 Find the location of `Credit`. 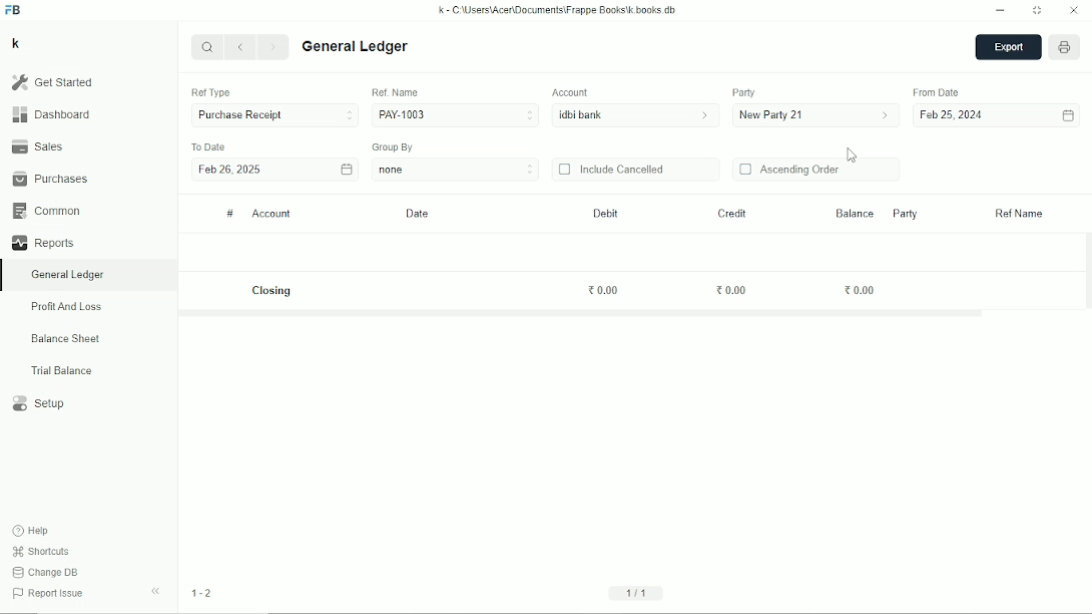

Credit is located at coordinates (731, 214).